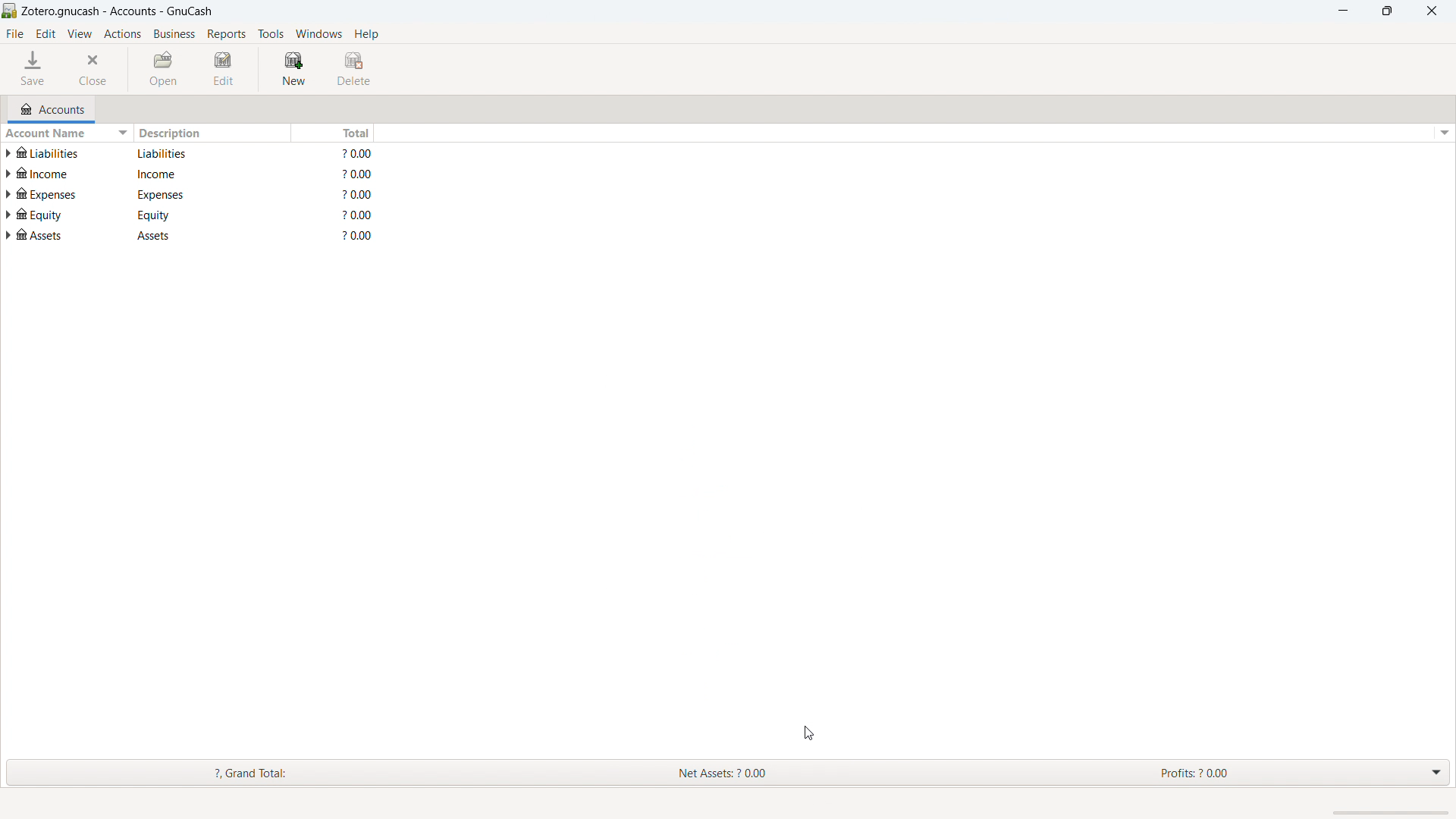  What do you see at coordinates (118, 11) in the screenshot?
I see `title` at bounding box center [118, 11].